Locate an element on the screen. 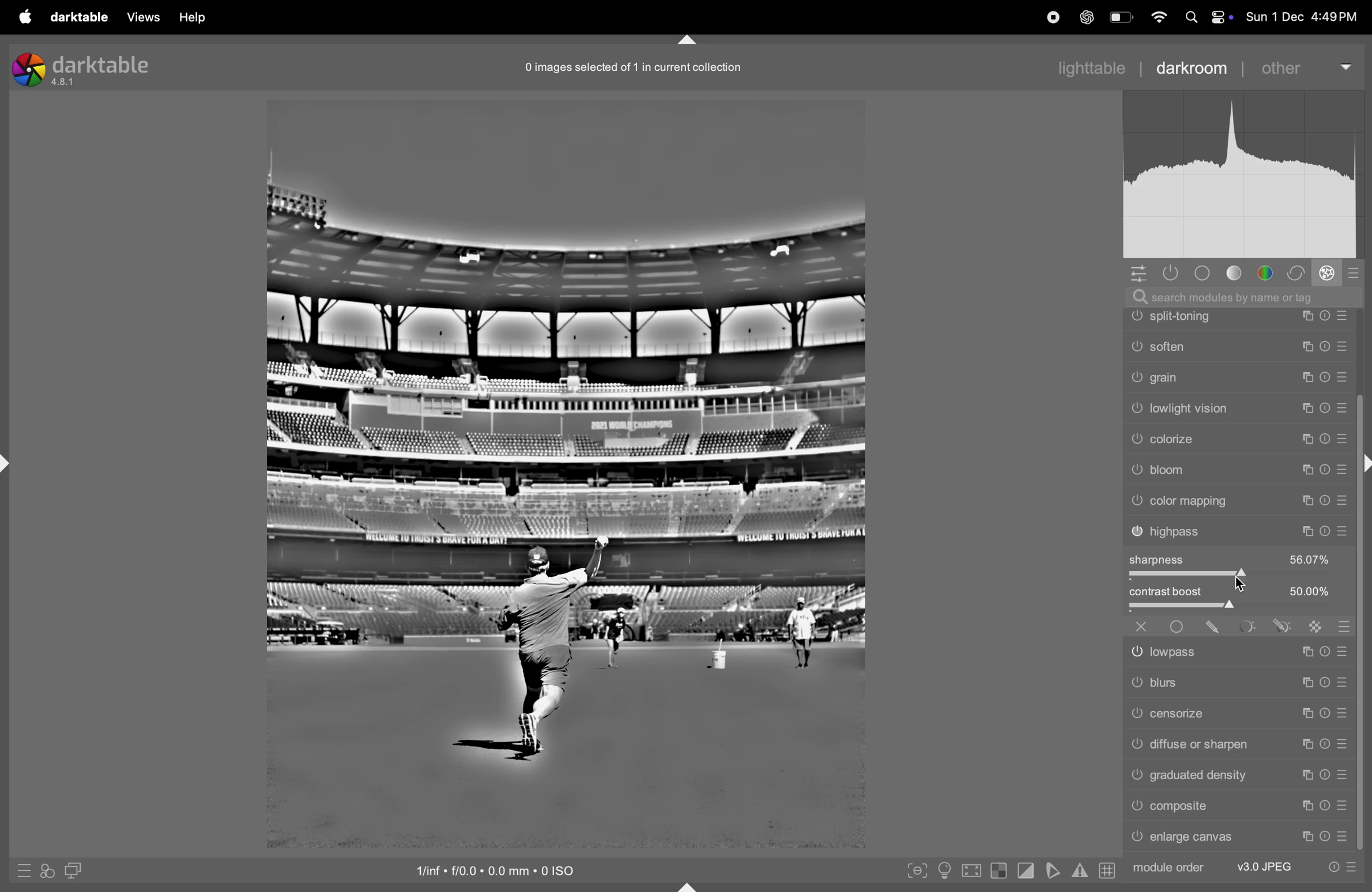 This screenshot has width=1372, height=892. searchbar is located at coordinates (1250, 296).